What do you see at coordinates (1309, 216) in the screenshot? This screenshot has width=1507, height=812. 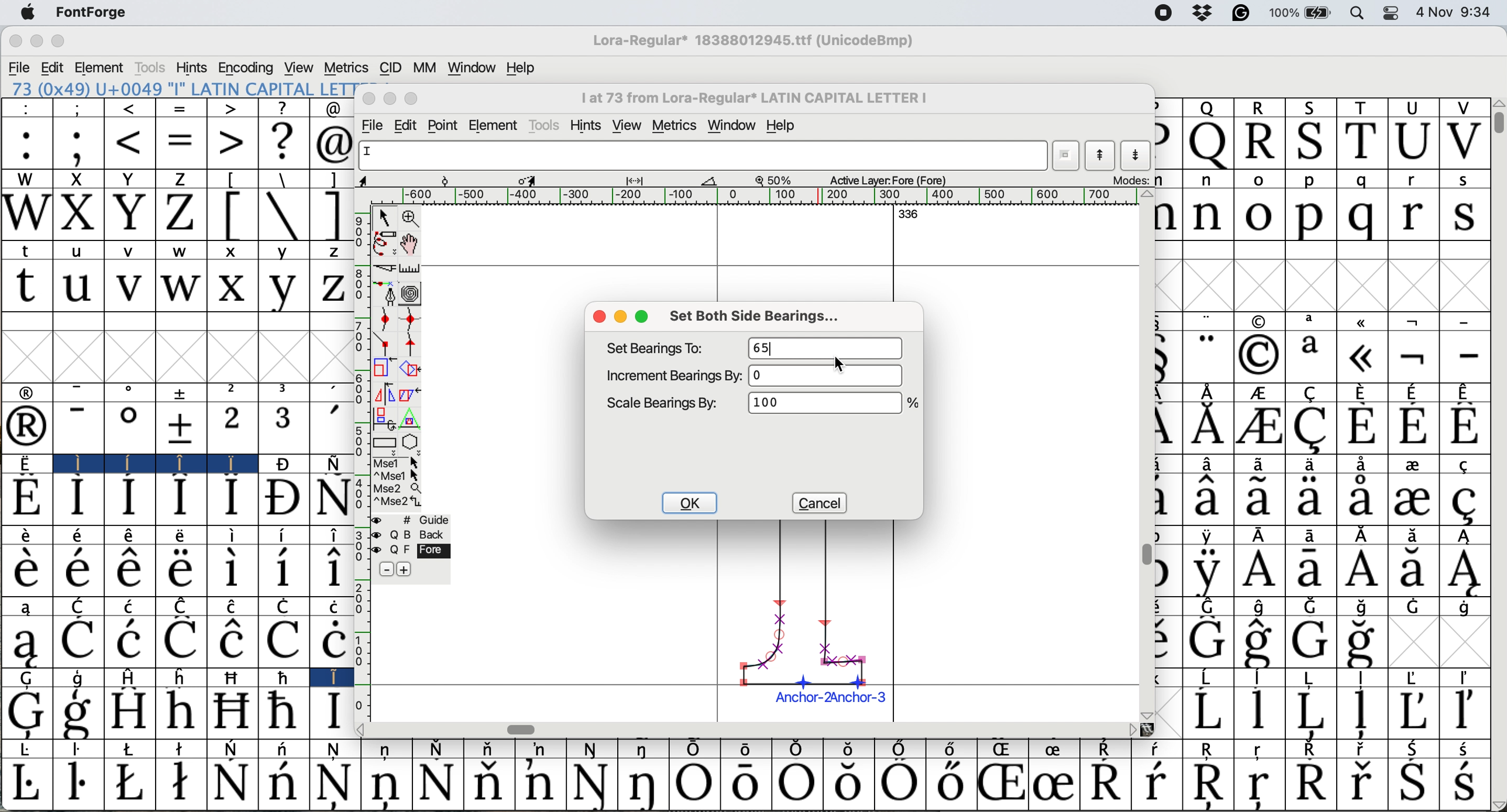 I see `p` at bounding box center [1309, 216].